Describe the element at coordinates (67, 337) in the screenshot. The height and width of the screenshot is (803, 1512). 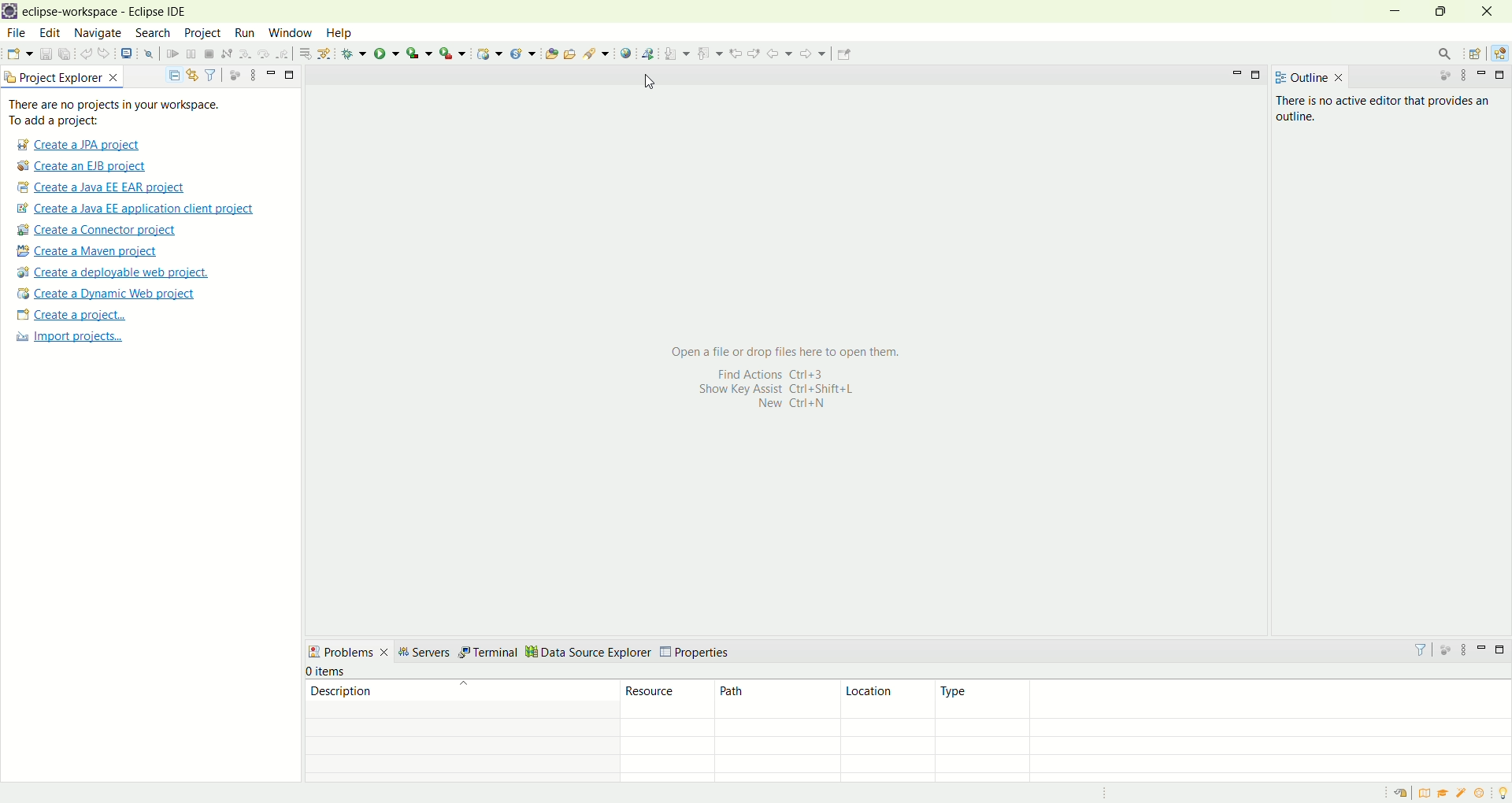
I see `import projects` at that location.